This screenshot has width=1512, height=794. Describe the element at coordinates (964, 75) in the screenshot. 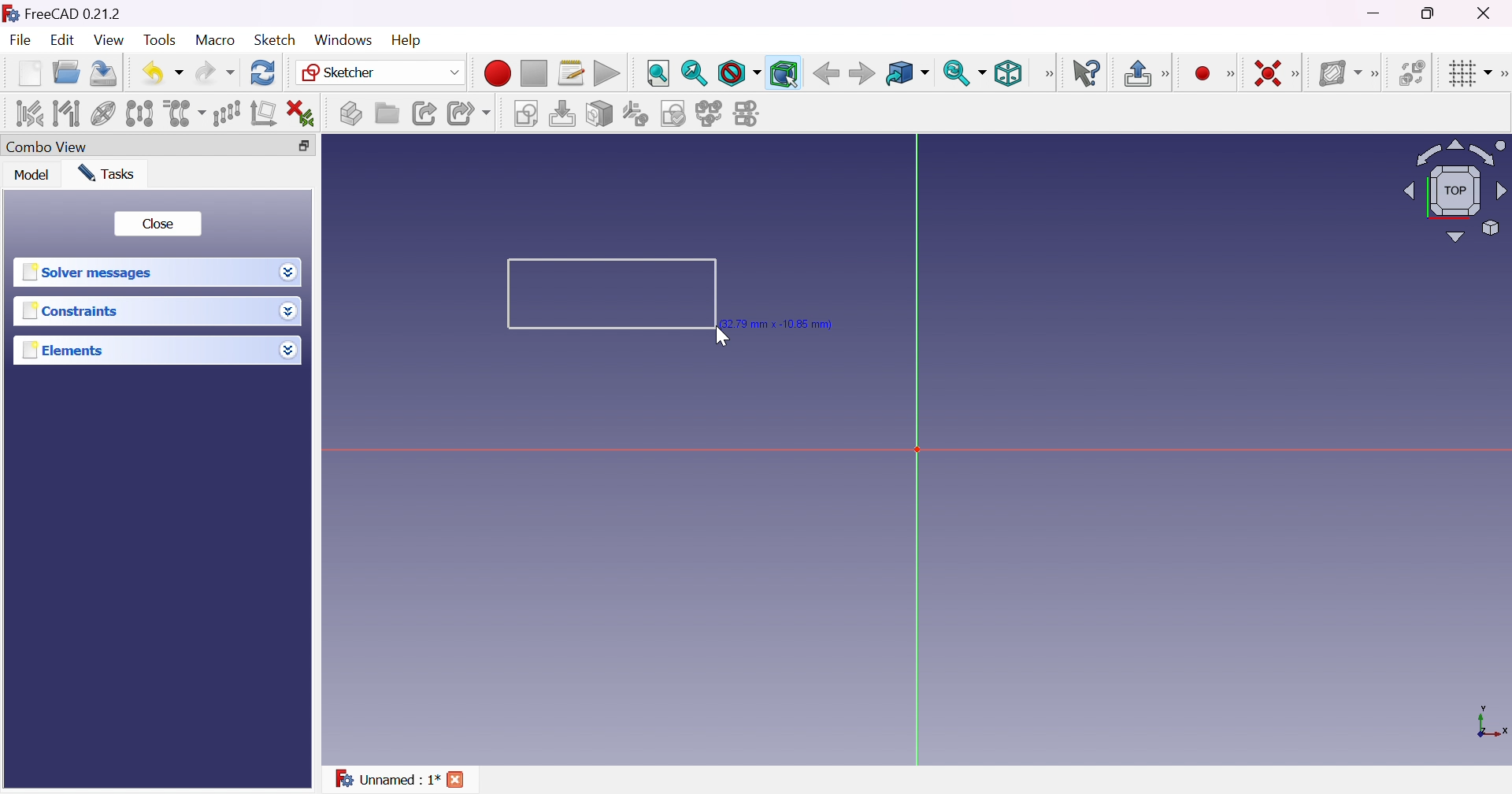

I see `Sync view` at that location.